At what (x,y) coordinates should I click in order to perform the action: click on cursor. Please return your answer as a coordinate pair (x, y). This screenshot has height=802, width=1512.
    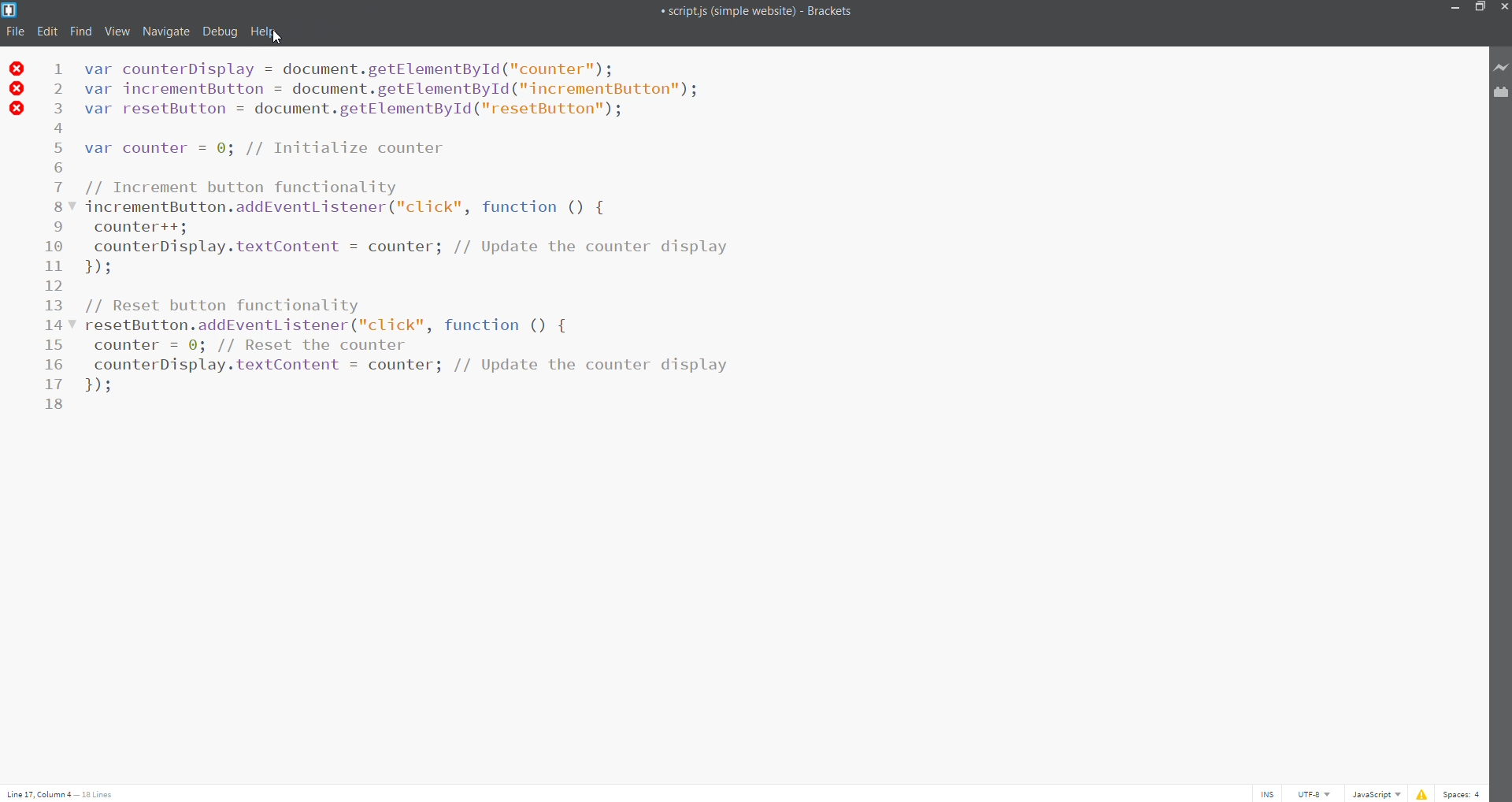
    Looking at the image, I should click on (280, 37).